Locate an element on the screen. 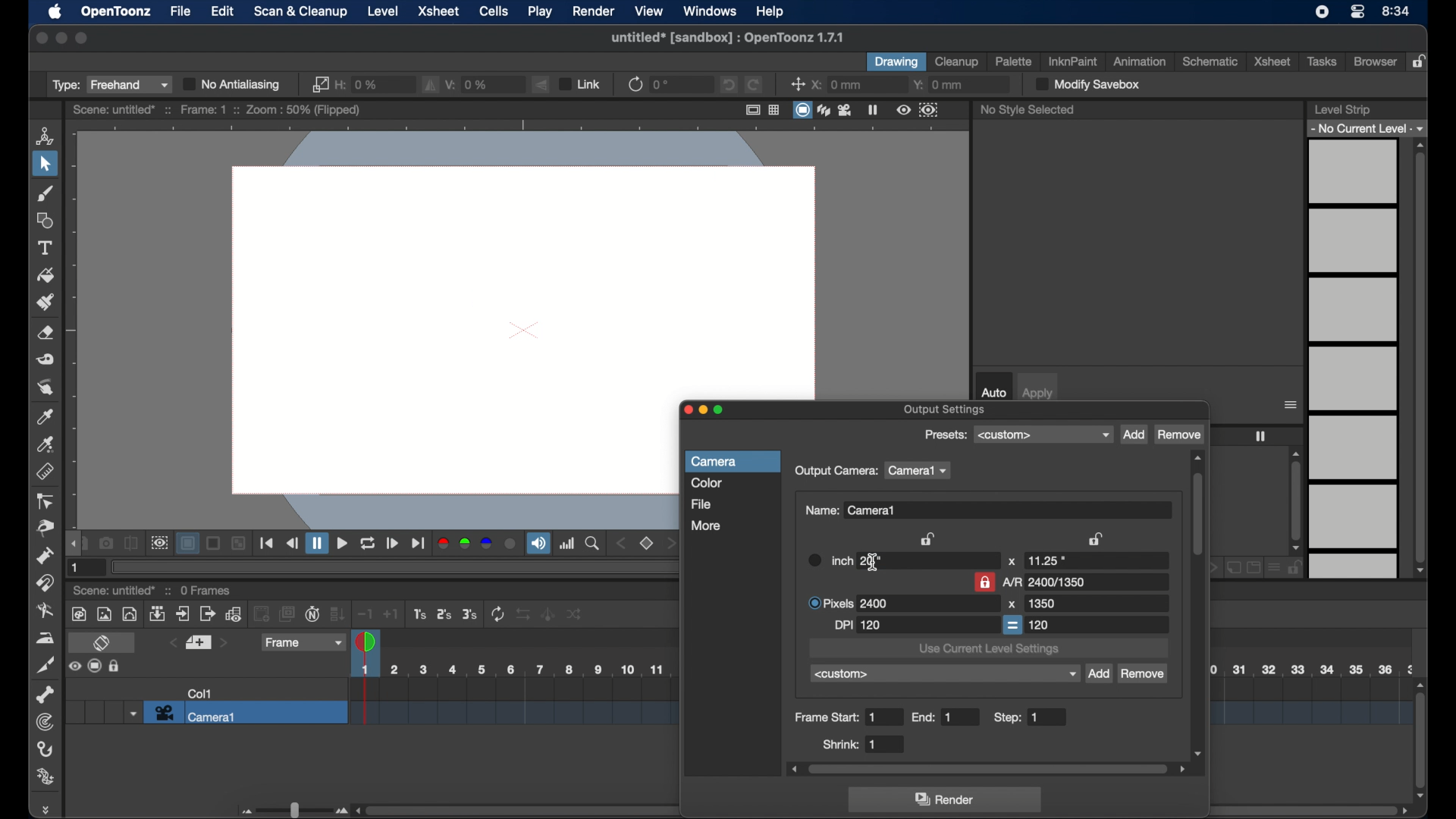 Image resolution: width=1456 pixels, height=819 pixels. scene scale is located at coordinates (1310, 700).